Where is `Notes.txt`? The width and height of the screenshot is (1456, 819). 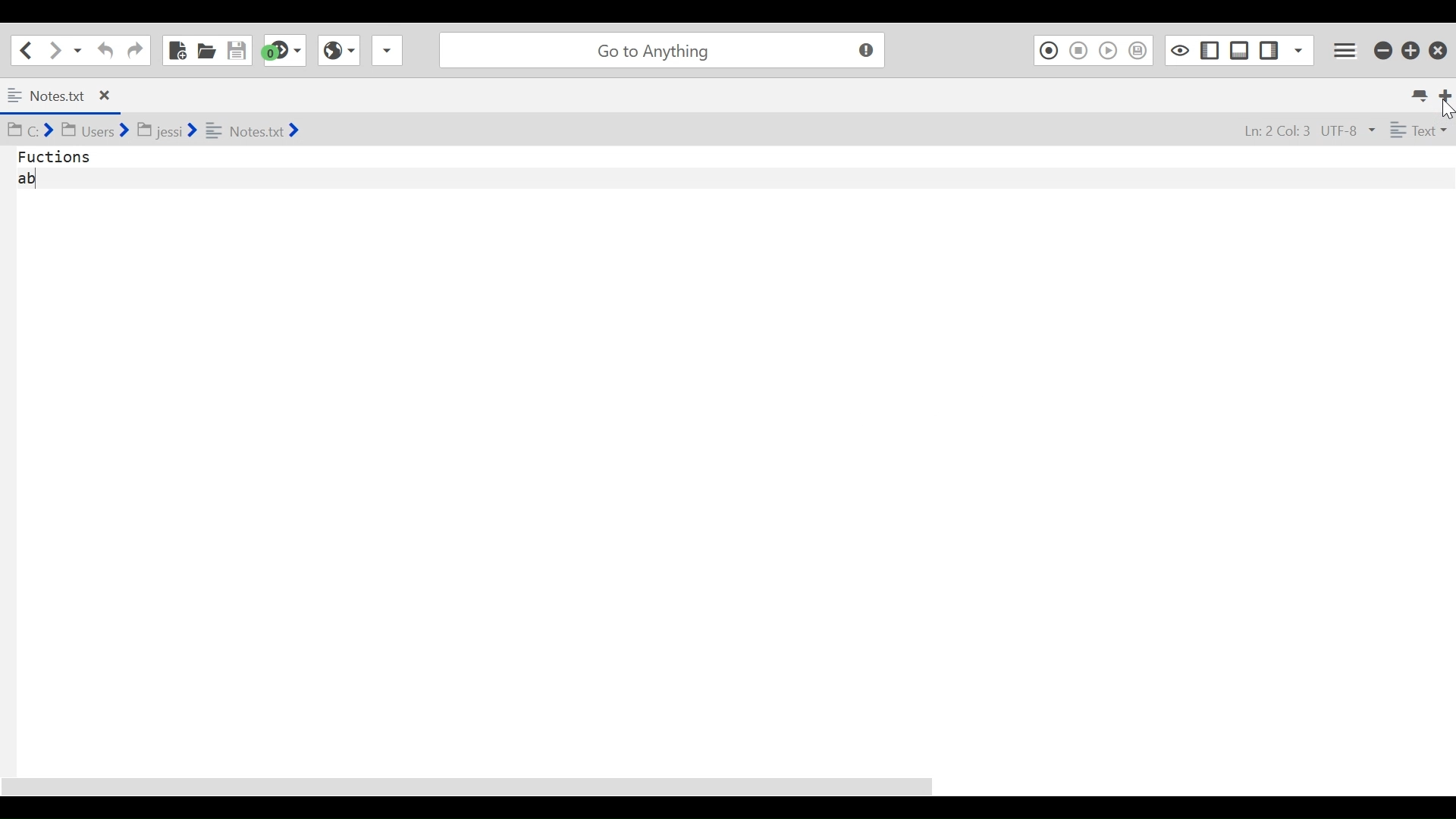 Notes.txt is located at coordinates (60, 96).